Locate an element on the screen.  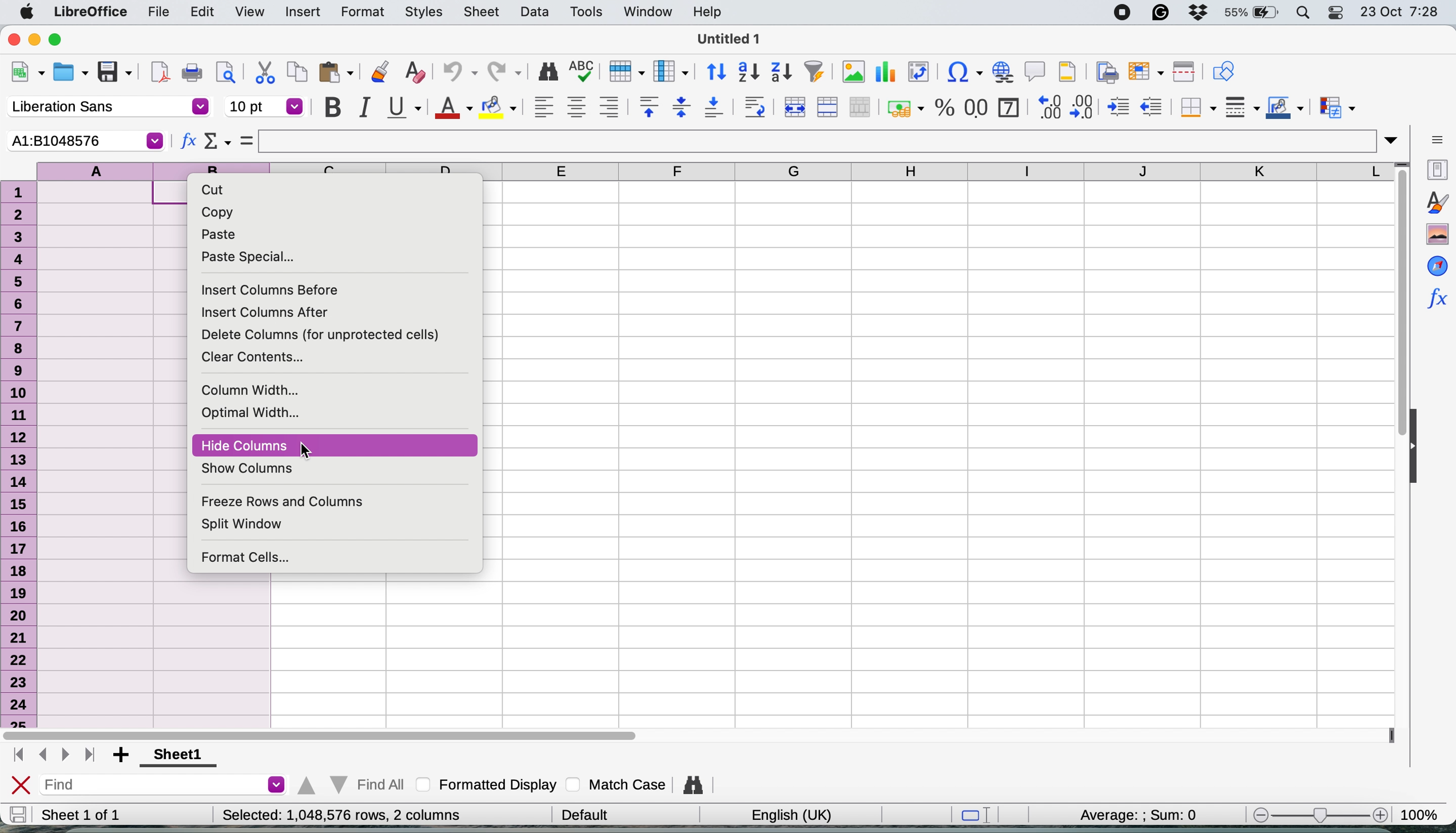
styles is located at coordinates (1434, 204).